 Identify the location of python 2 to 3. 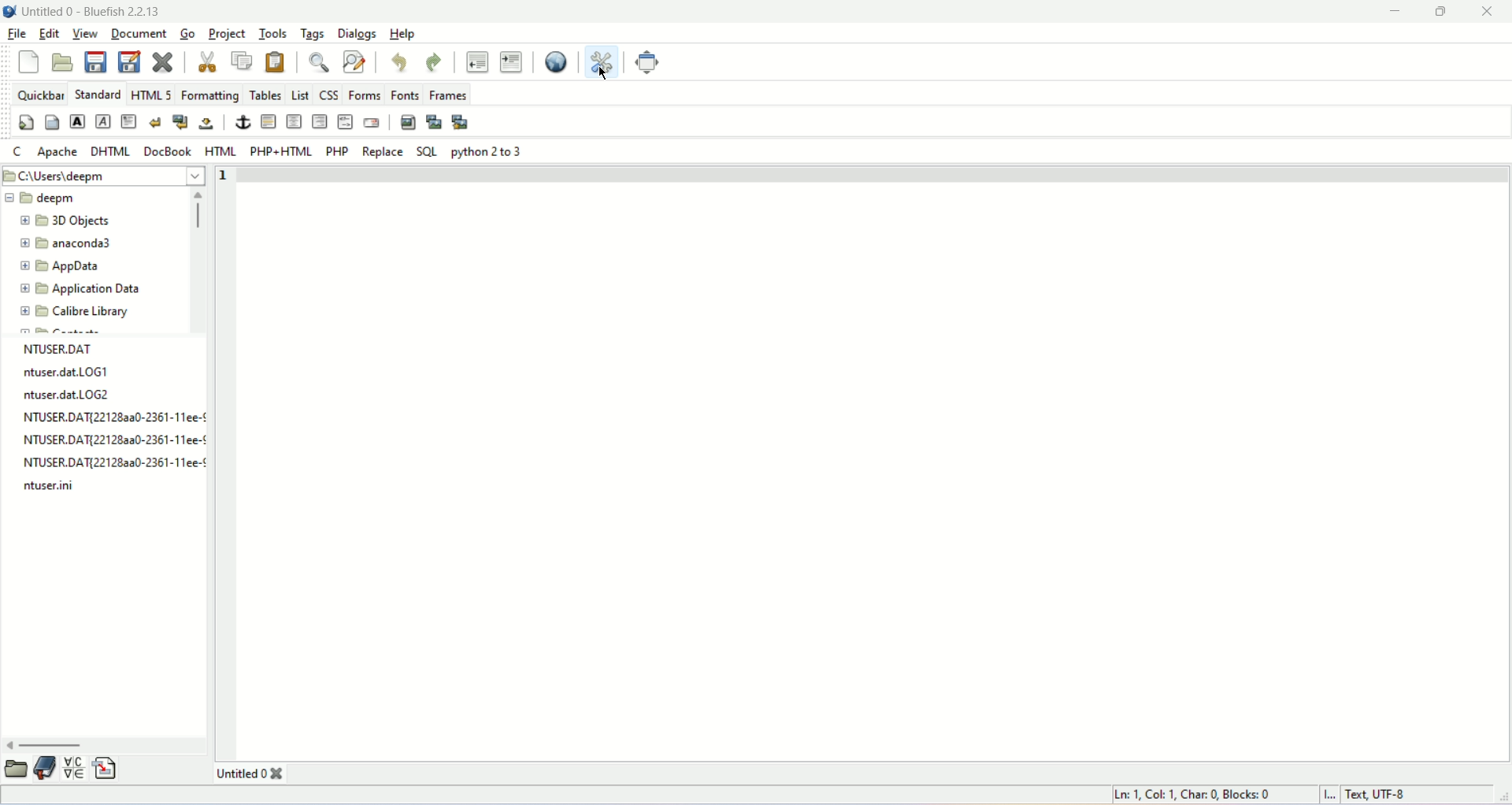
(491, 153).